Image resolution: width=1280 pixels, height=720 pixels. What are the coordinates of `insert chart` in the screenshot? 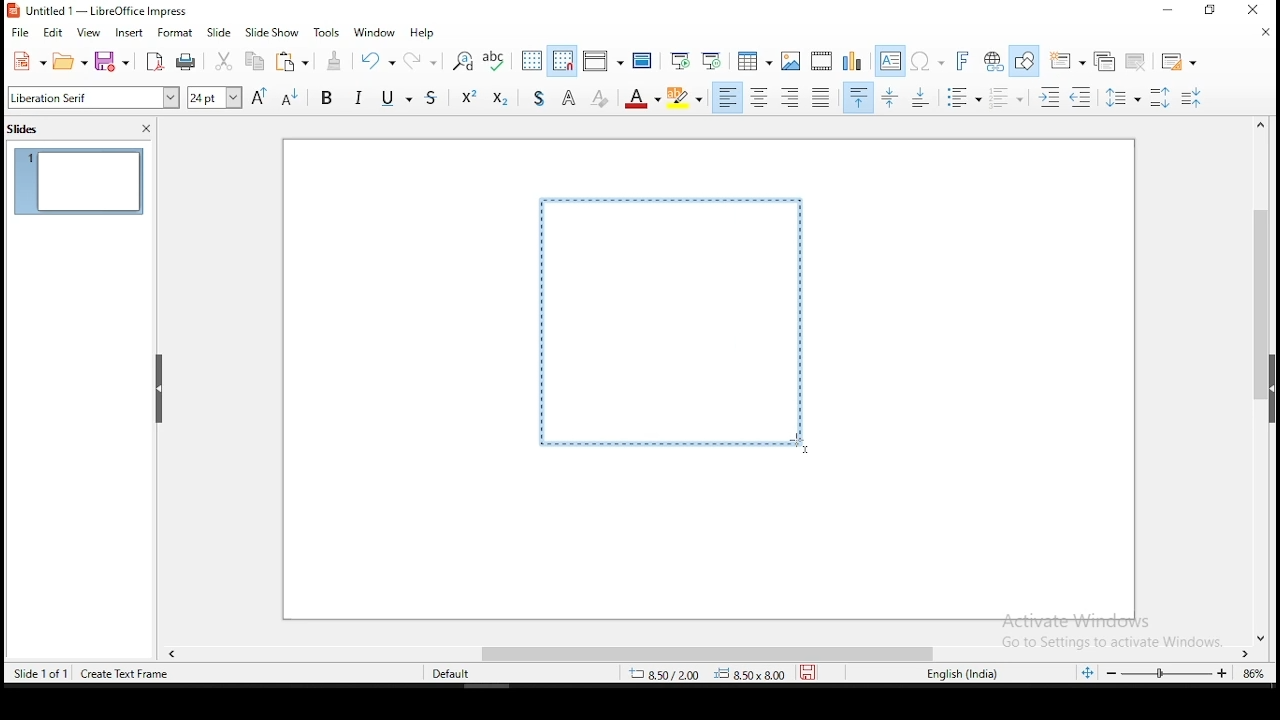 It's located at (852, 60).